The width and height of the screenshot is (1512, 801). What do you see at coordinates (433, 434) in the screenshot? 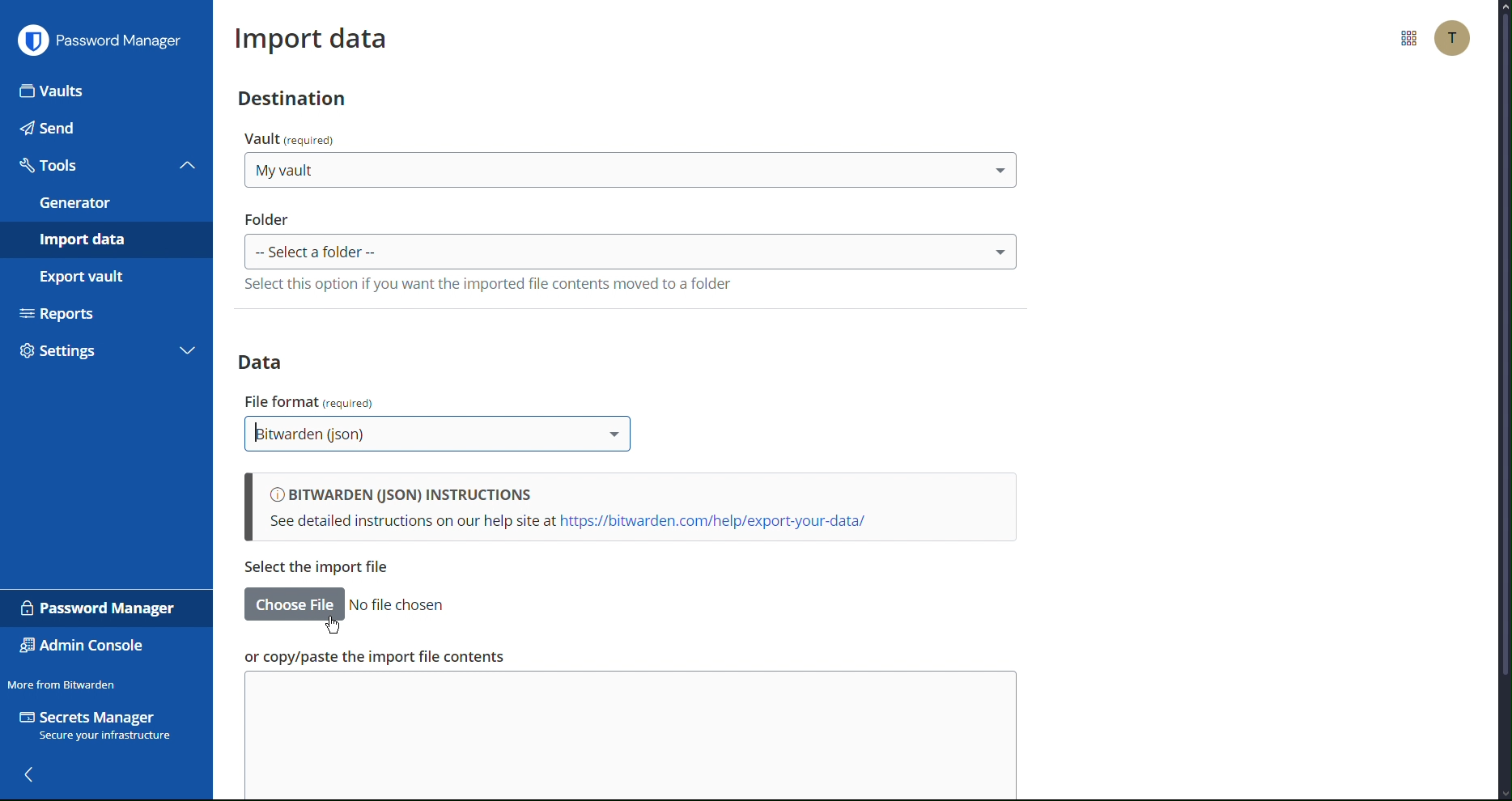
I see `Bitwarden (json)` at bounding box center [433, 434].